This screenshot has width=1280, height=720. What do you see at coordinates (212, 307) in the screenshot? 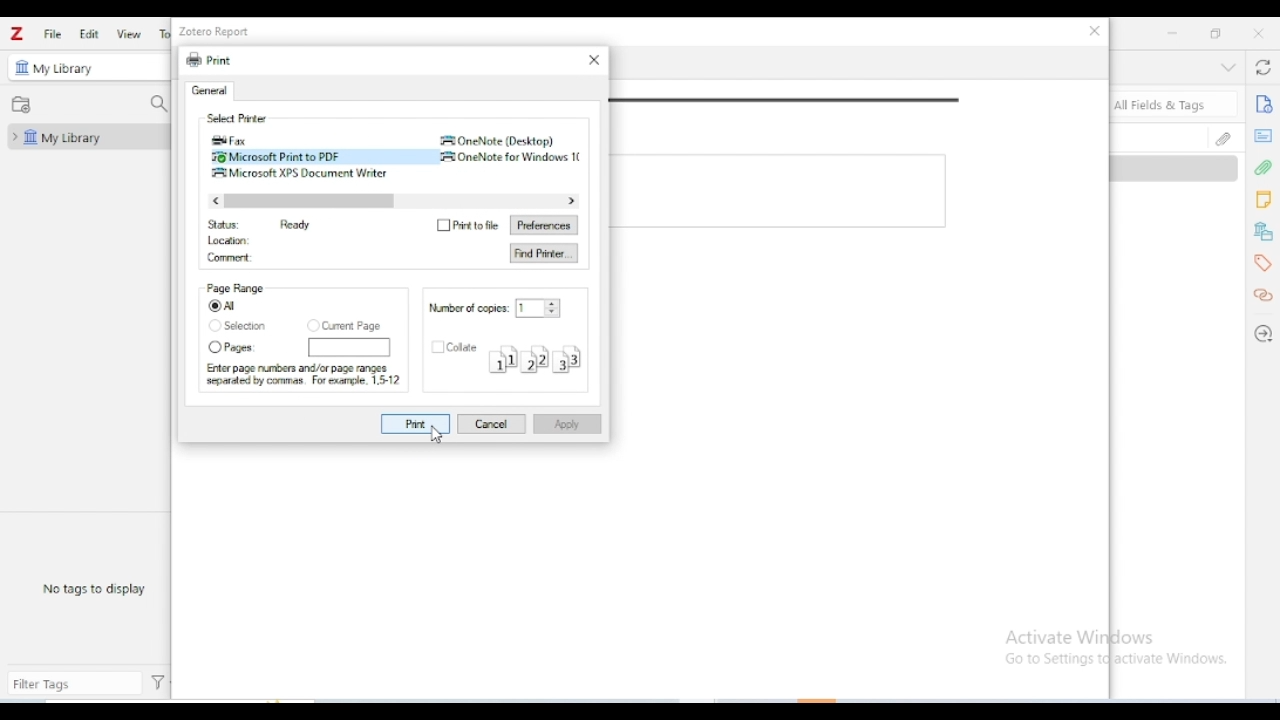
I see `Checked box` at bounding box center [212, 307].